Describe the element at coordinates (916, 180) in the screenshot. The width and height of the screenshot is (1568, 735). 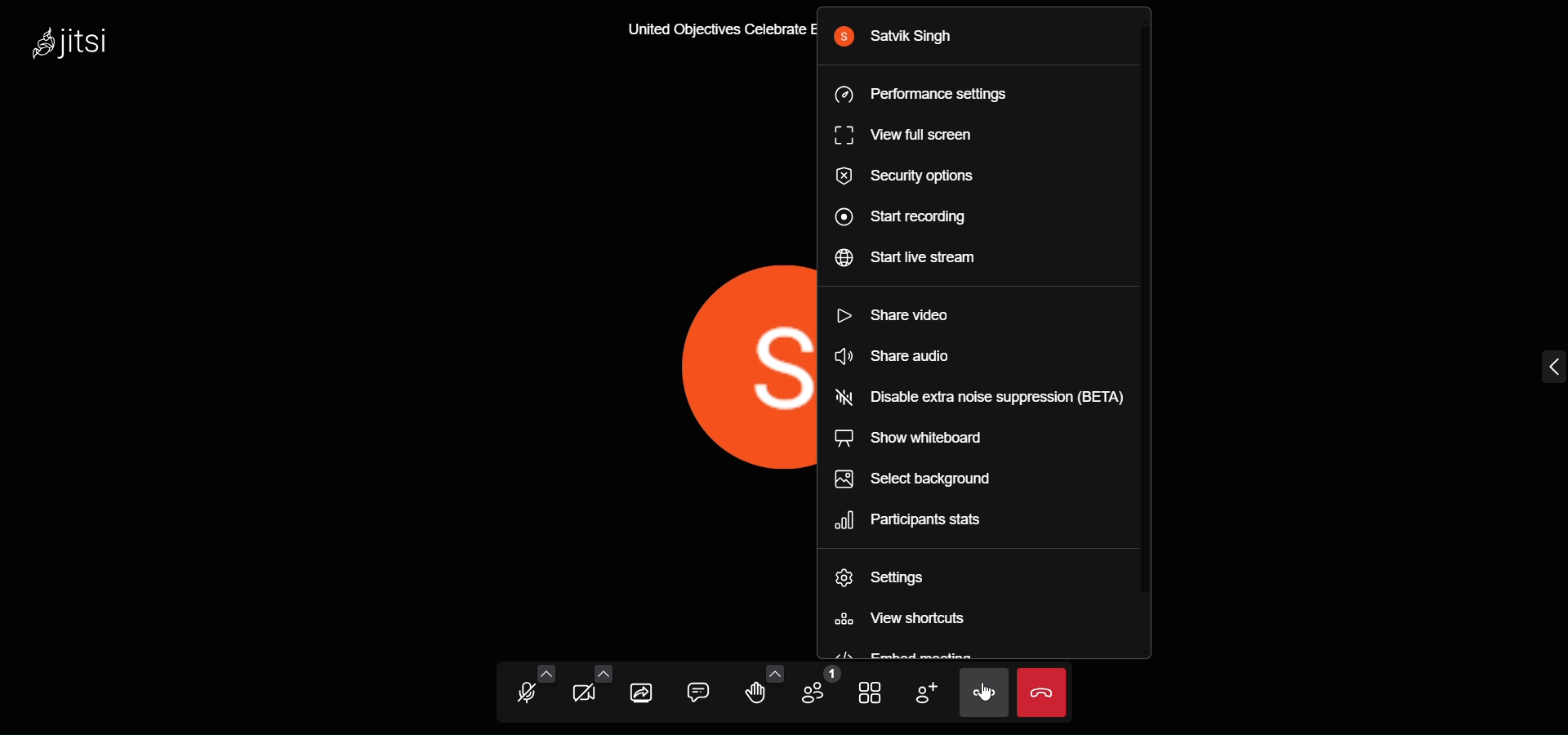
I see `security option` at that location.